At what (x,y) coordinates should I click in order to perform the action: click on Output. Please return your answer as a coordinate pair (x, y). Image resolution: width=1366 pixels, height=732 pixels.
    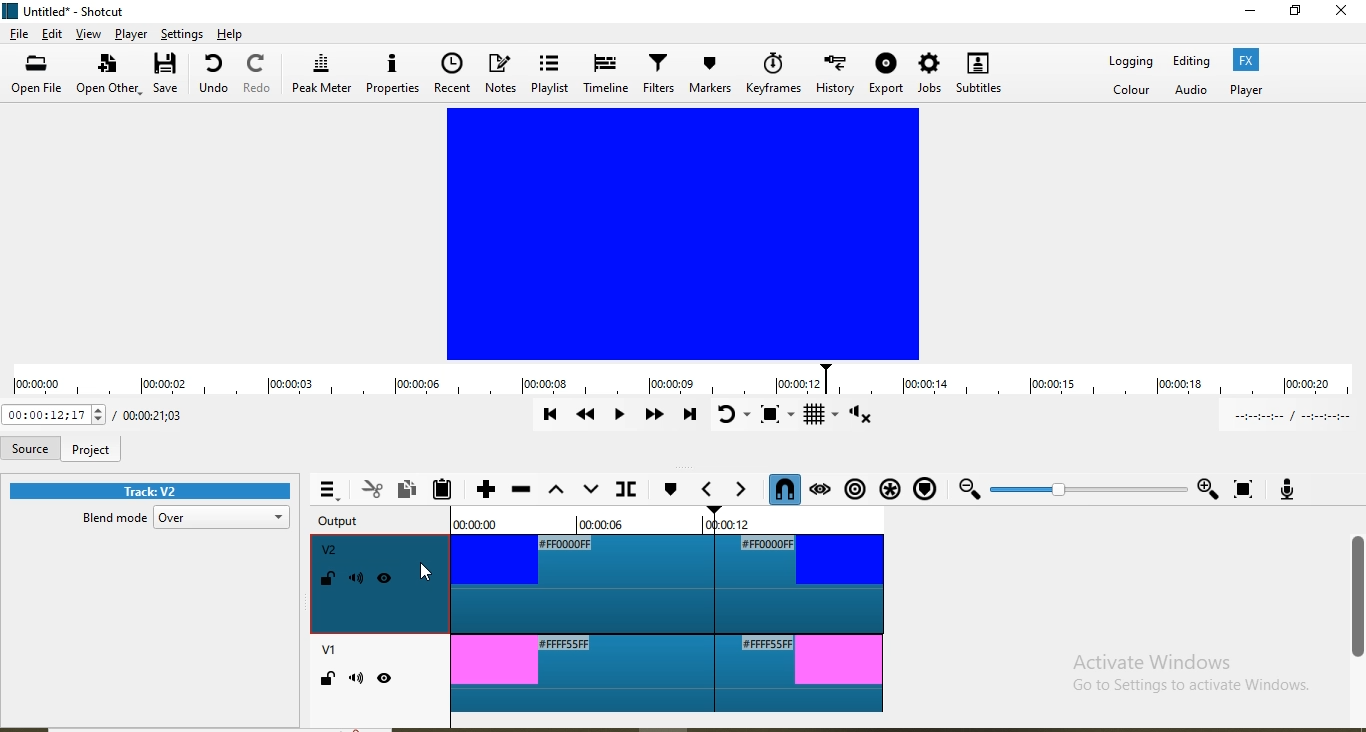
    Looking at the image, I should click on (345, 522).